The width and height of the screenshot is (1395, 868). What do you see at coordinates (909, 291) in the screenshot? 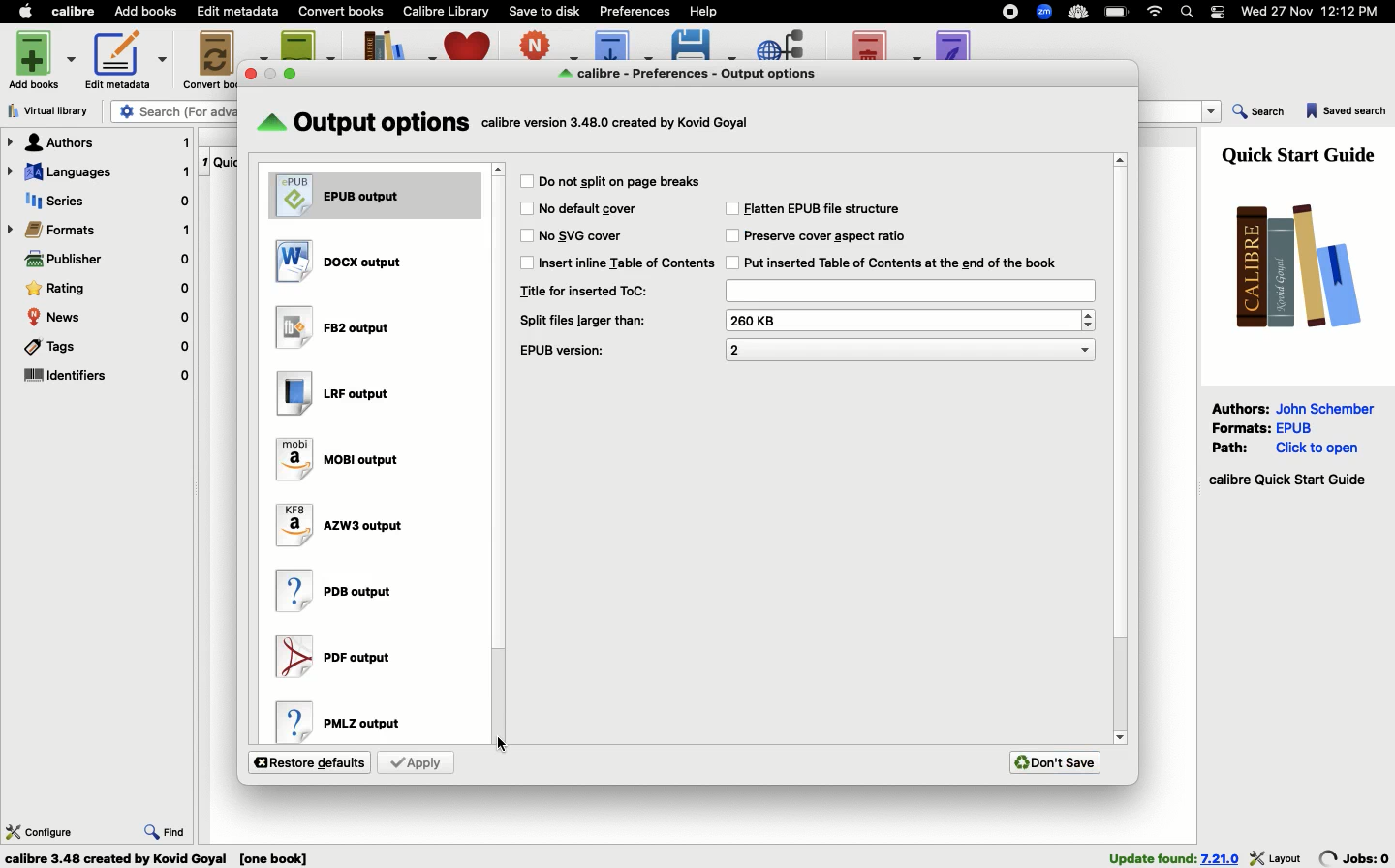
I see `Title` at bounding box center [909, 291].